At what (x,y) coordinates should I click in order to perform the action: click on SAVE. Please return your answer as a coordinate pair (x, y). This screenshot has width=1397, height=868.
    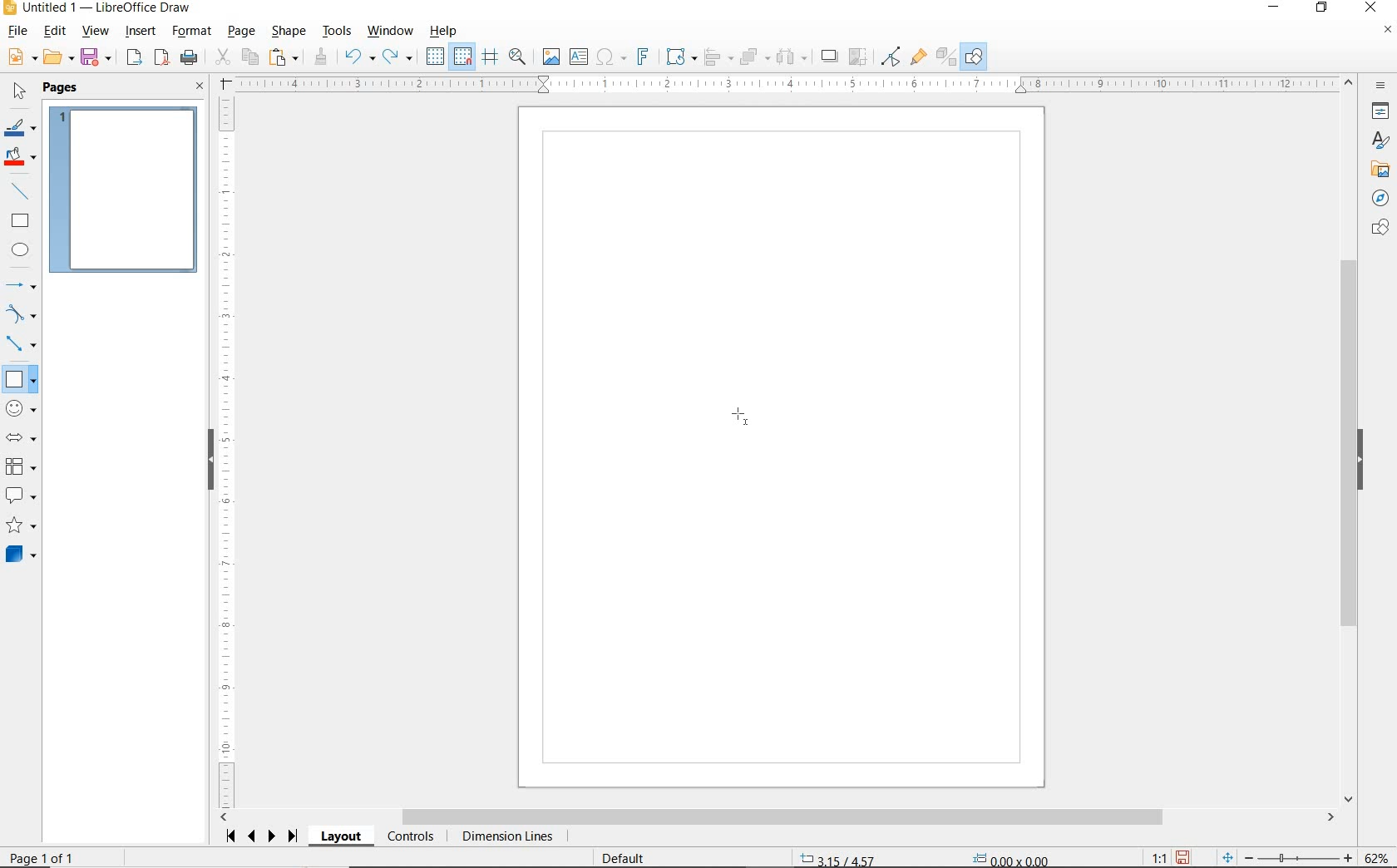
    Looking at the image, I should click on (97, 58).